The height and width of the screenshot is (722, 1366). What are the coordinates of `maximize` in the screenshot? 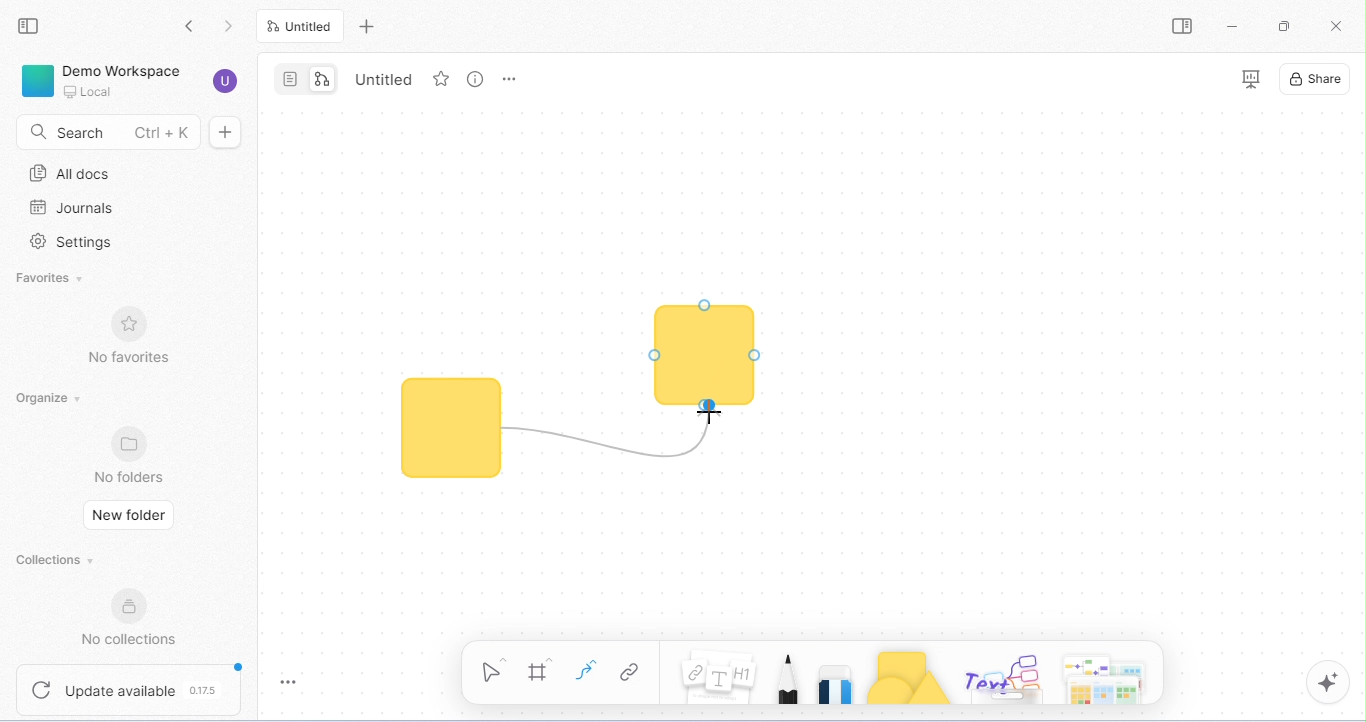 It's located at (1284, 26).